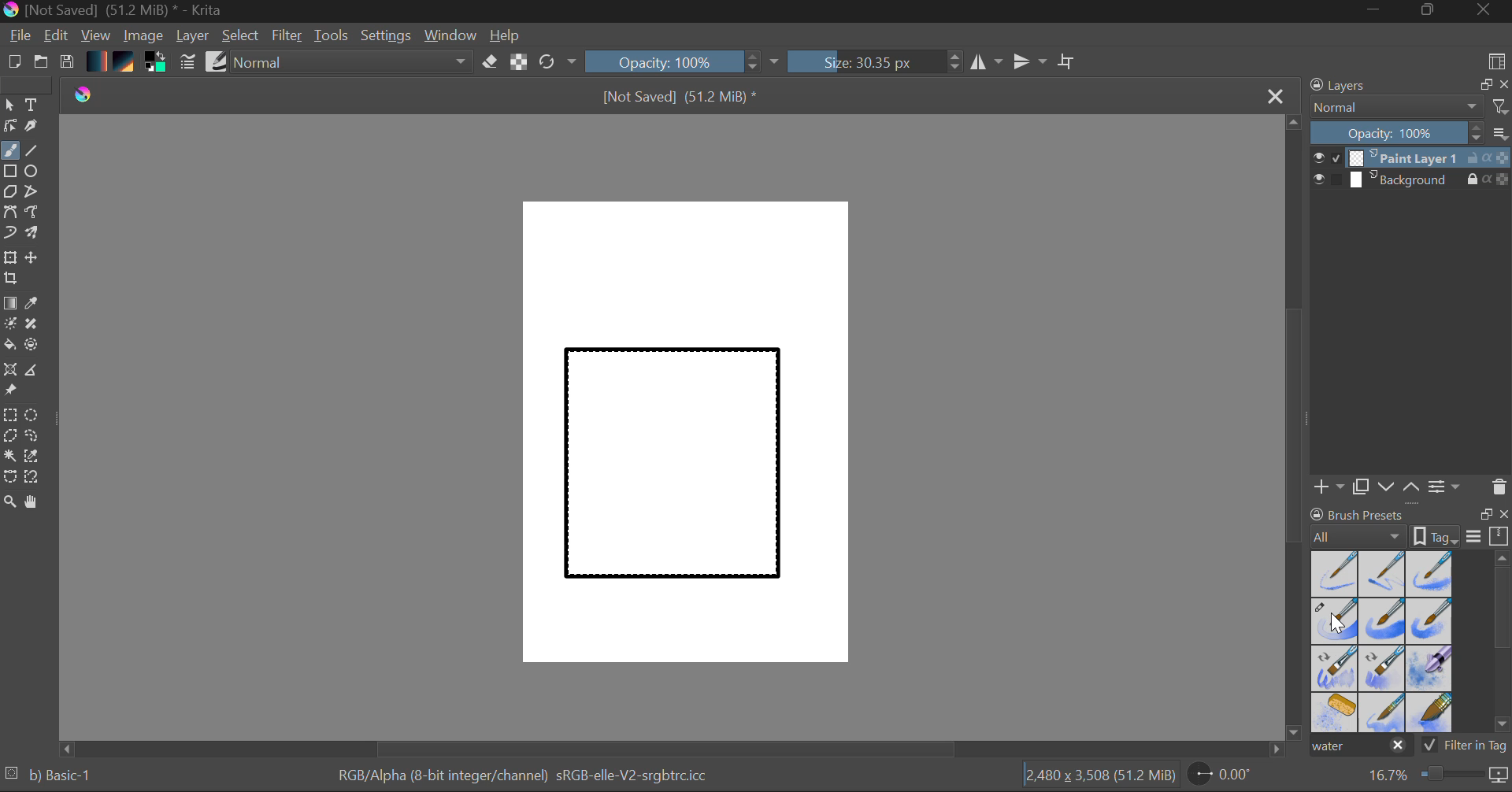  What do you see at coordinates (1379, 11) in the screenshot?
I see `Restore Down` at bounding box center [1379, 11].